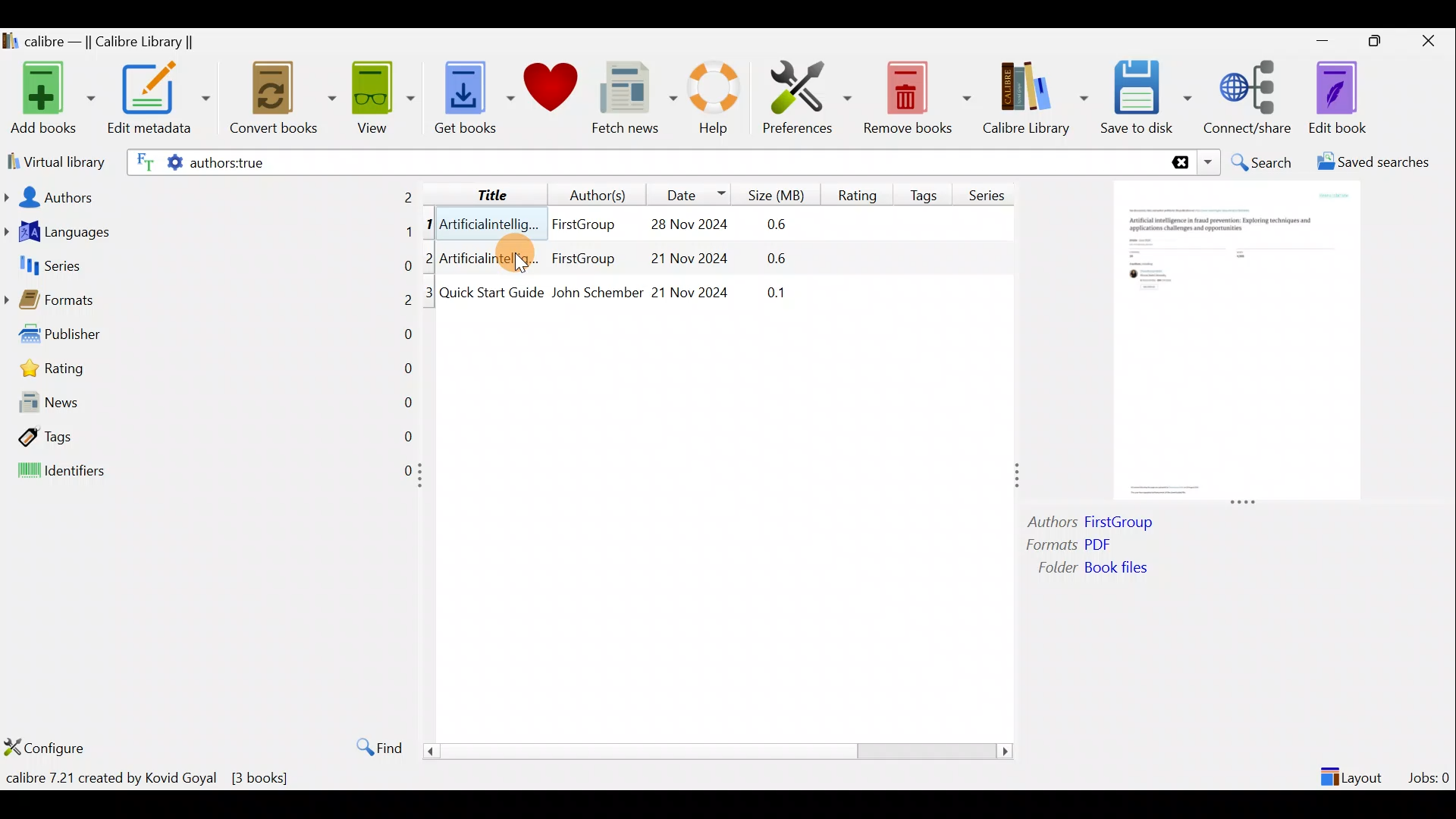  What do you see at coordinates (210, 196) in the screenshot?
I see `Authors` at bounding box center [210, 196].